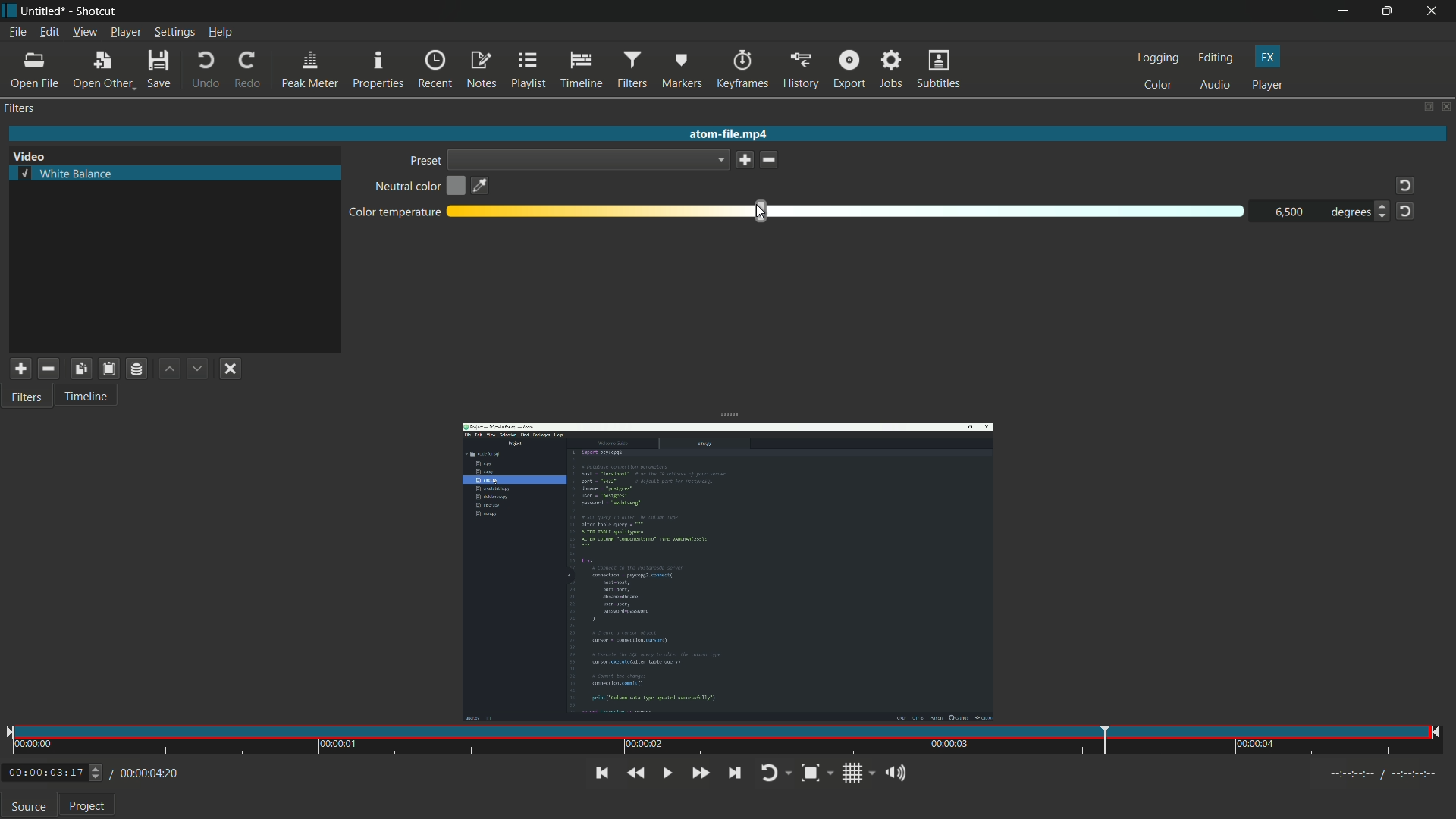 The width and height of the screenshot is (1456, 819). Describe the element at coordinates (20, 370) in the screenshot. I see `add filter` at that location.